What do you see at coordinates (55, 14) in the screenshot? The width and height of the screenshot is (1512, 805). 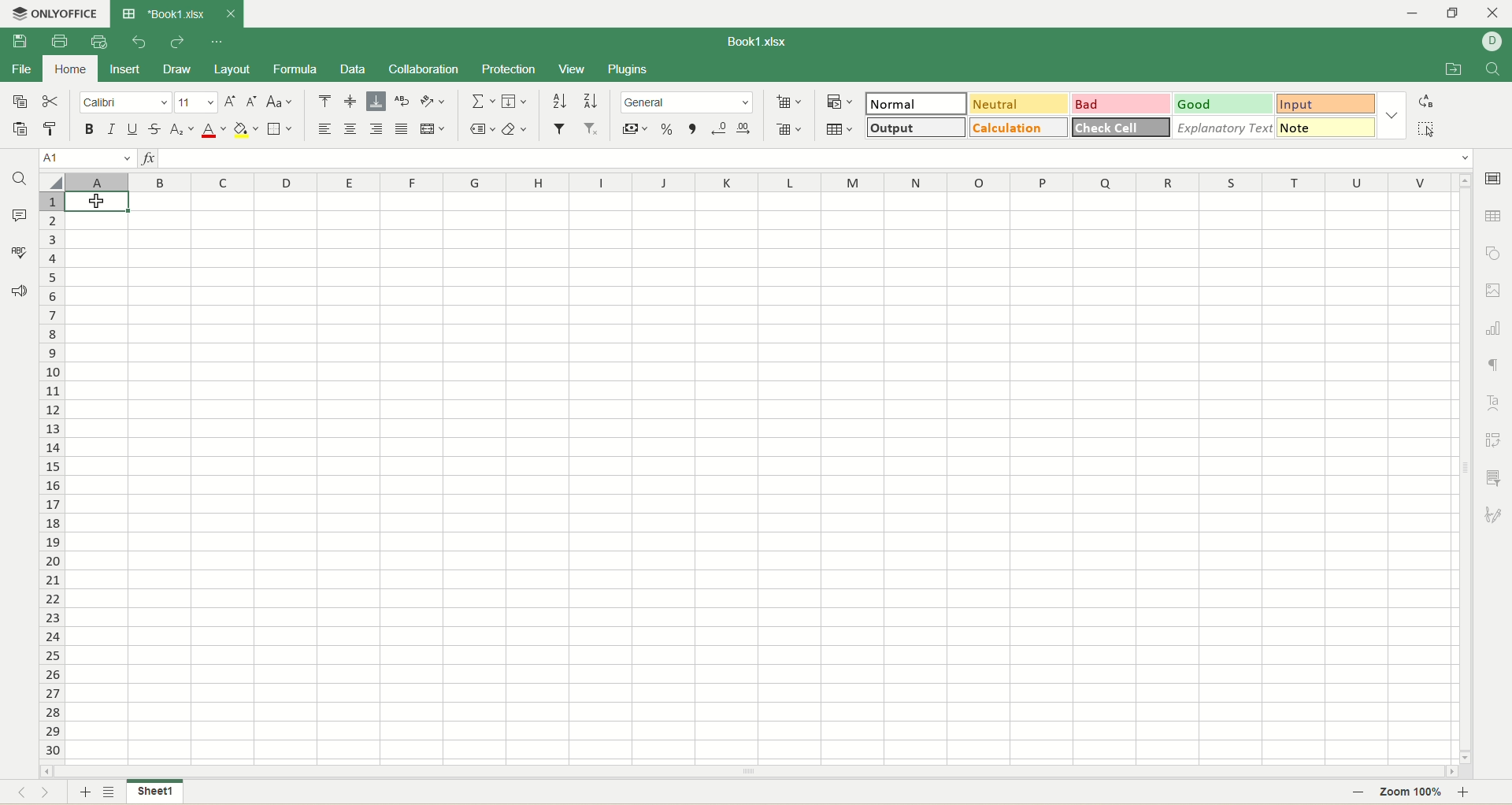 I see `onlyoffice` at bounding box center [55, 14].